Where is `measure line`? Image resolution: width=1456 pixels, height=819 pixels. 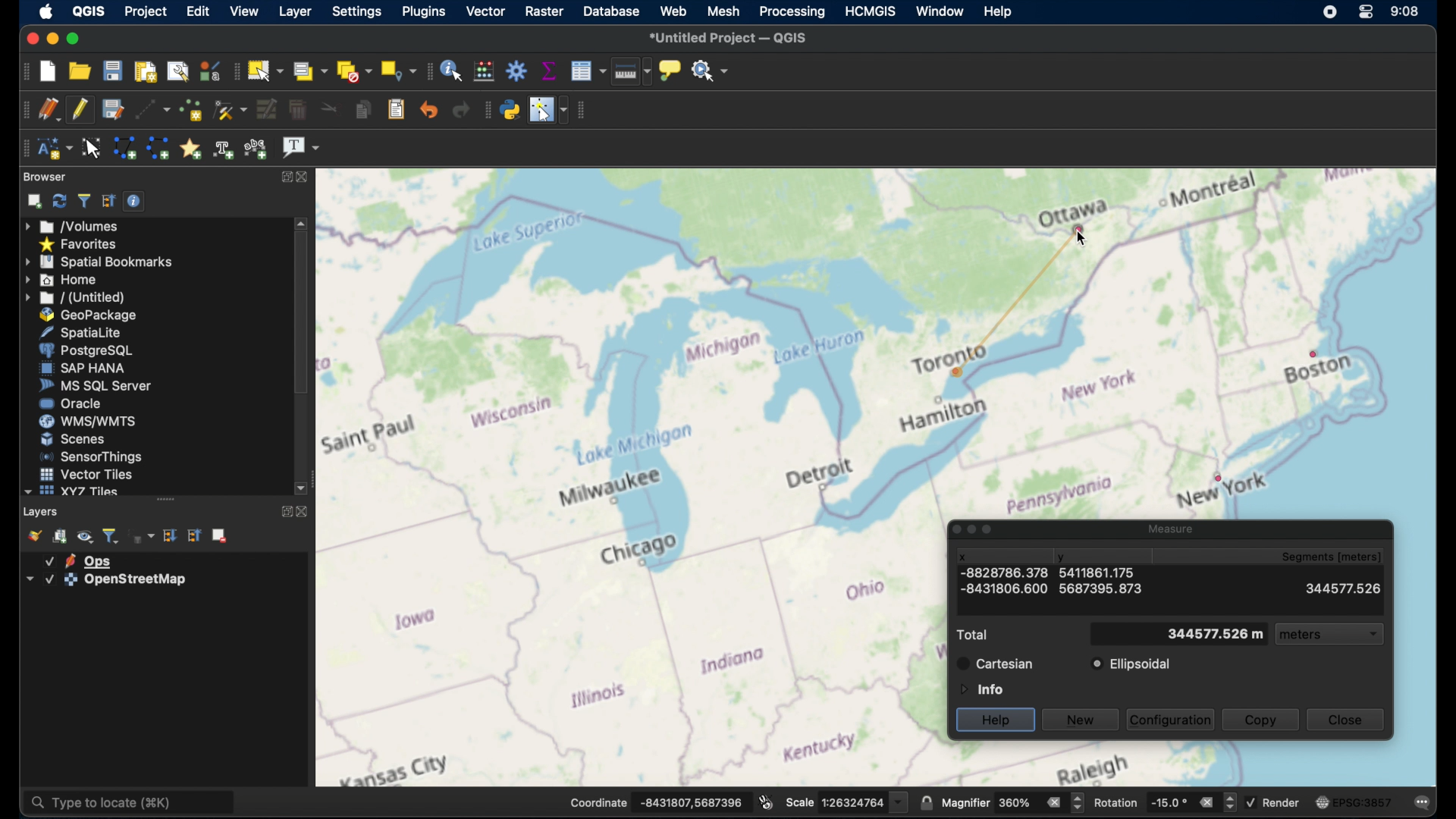 measure line is located at coordinates (632, 74).